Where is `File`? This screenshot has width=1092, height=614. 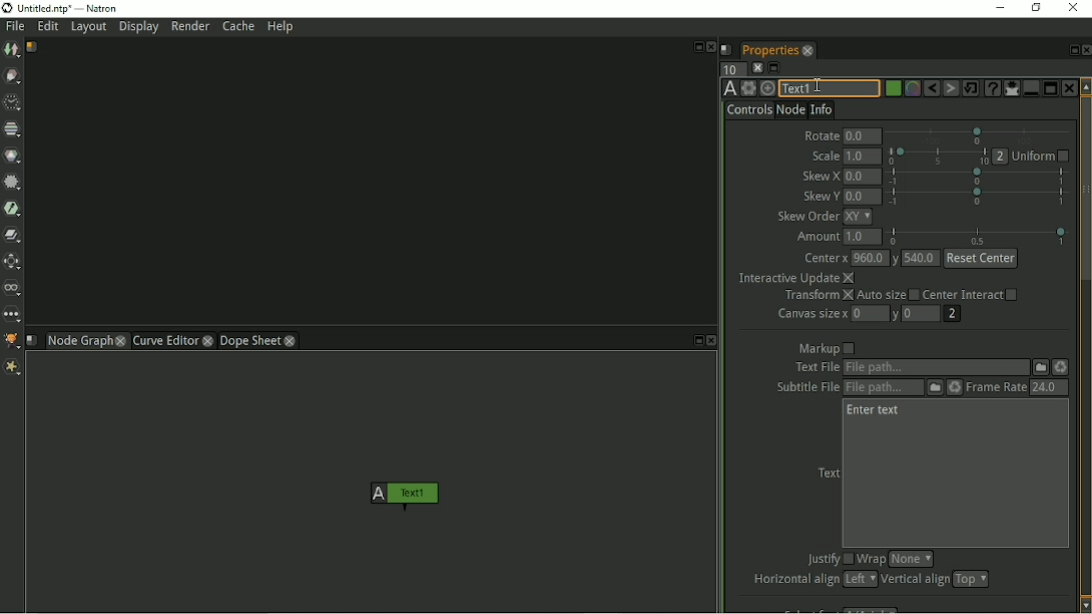
File is located at coordinates (15, 27).